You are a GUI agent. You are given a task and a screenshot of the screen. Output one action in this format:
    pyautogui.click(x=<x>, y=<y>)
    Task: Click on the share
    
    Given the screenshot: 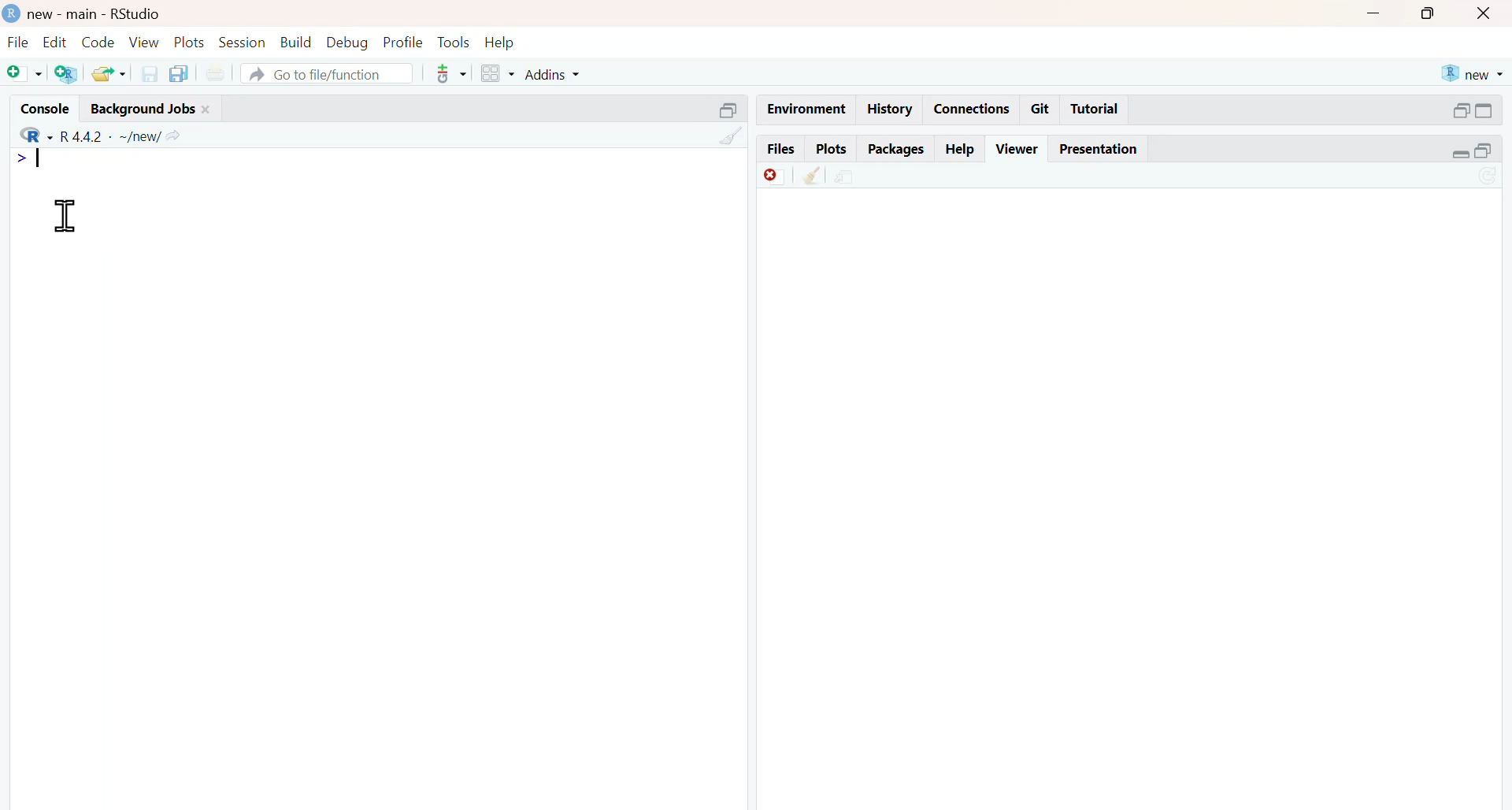 What is the action you would take?
    pyautogui.click(x=845, y=177)
    